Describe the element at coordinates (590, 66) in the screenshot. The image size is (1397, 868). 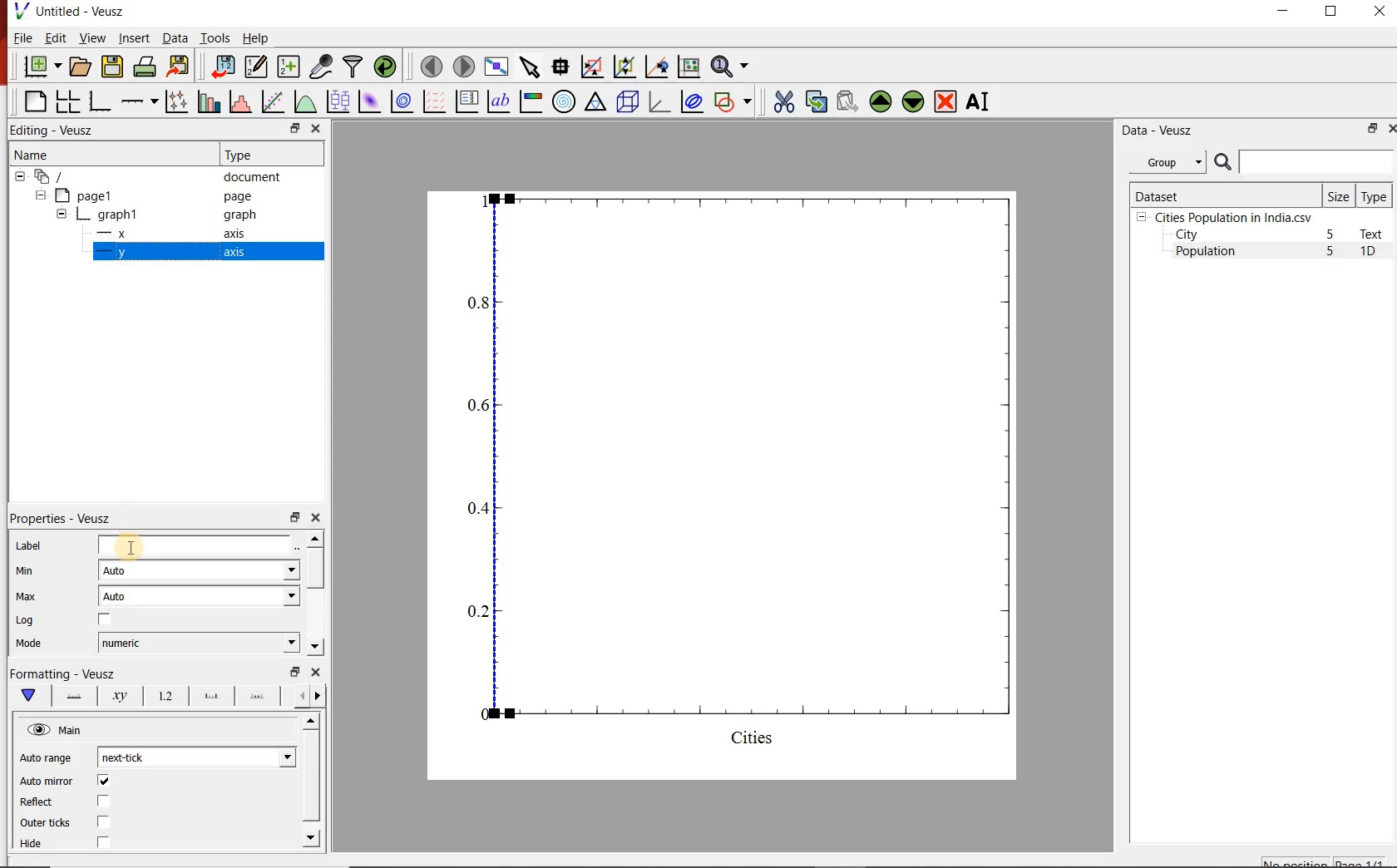
I see `click or draw a rectangle to zoom graph indexes` at that location.